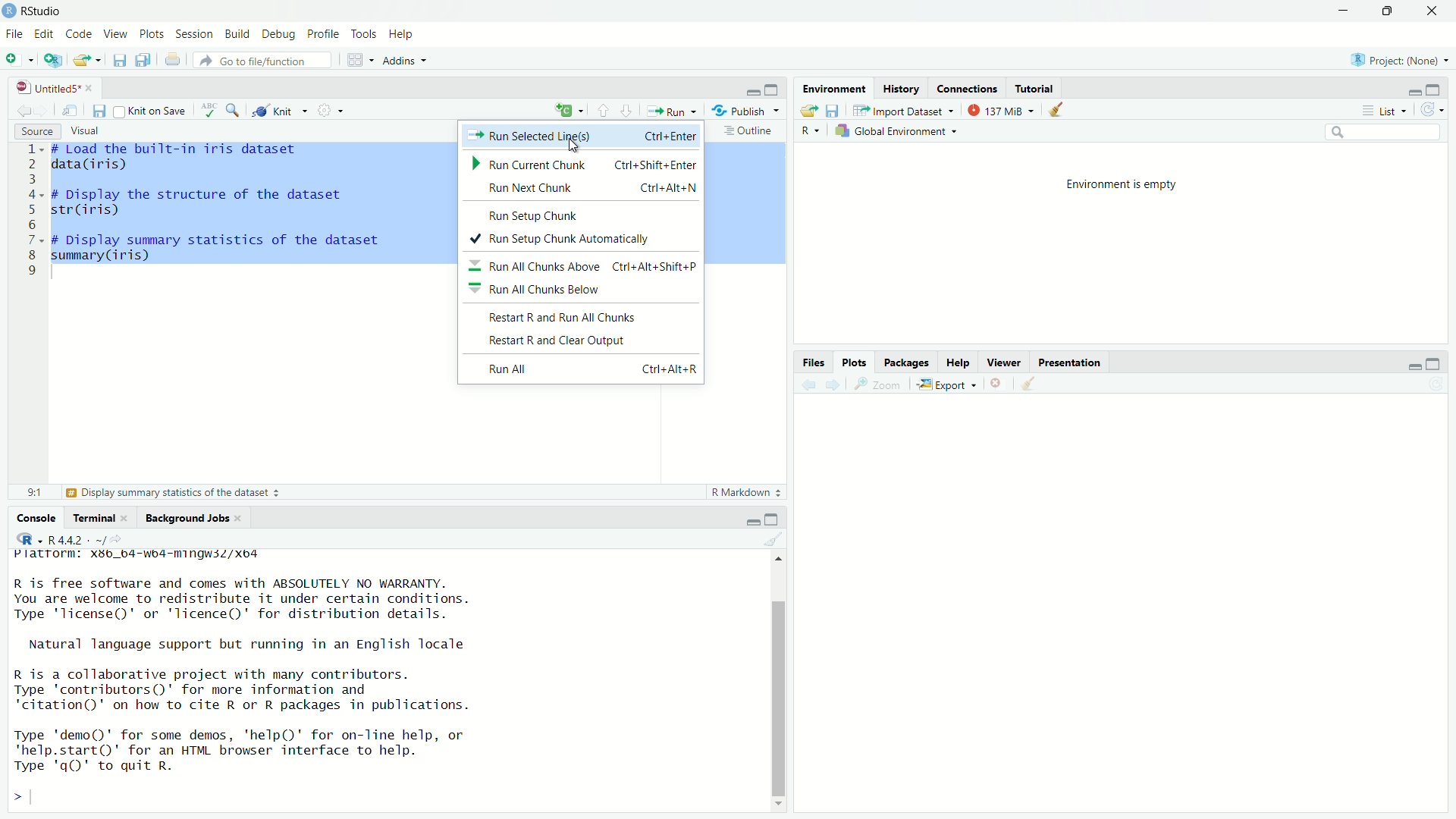 The image size is (1456, 819). I want to click on R Markdown, so click(746, 491).